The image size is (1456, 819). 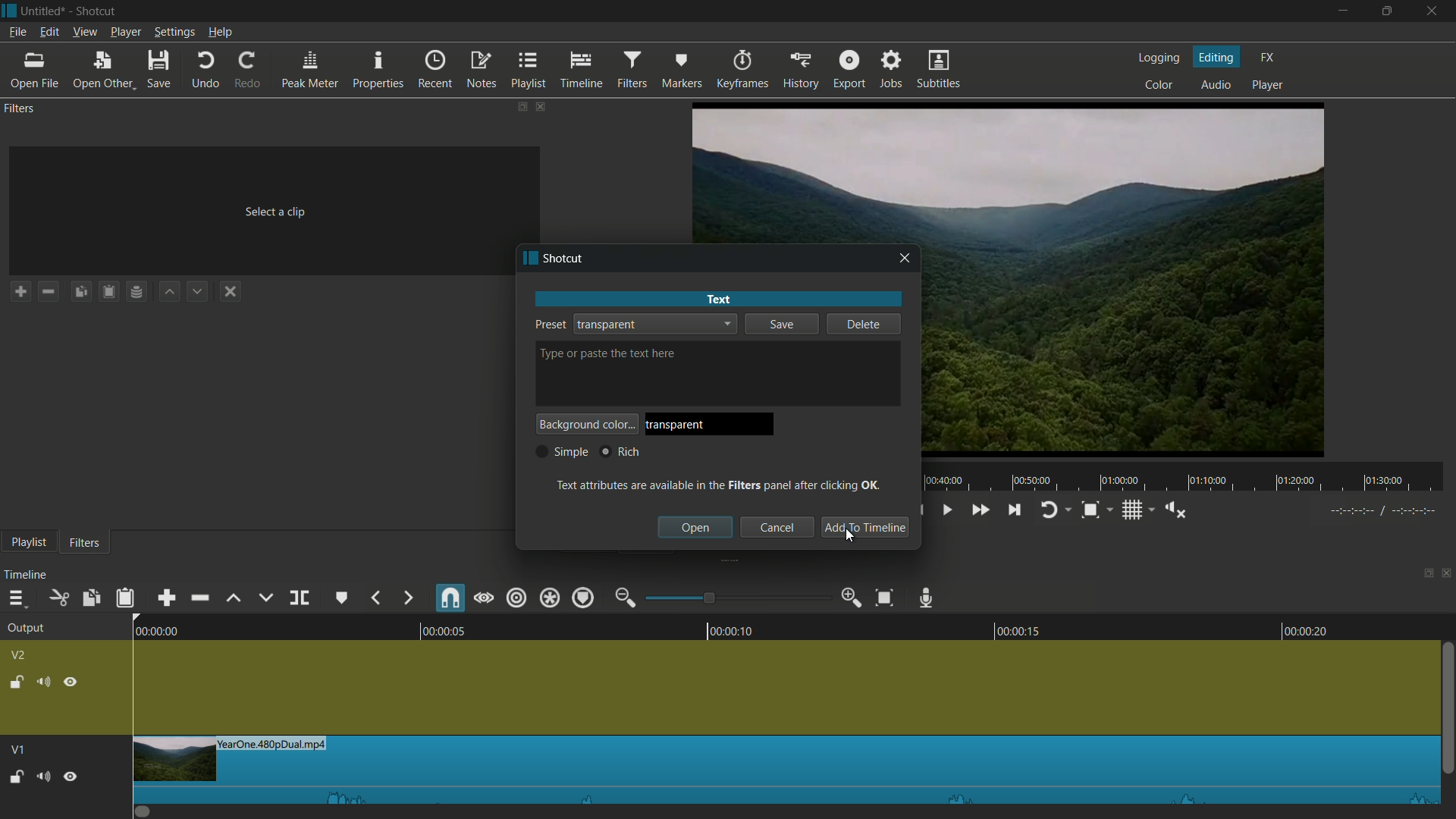 I want to click on close app, so click(x=1434, y=11).